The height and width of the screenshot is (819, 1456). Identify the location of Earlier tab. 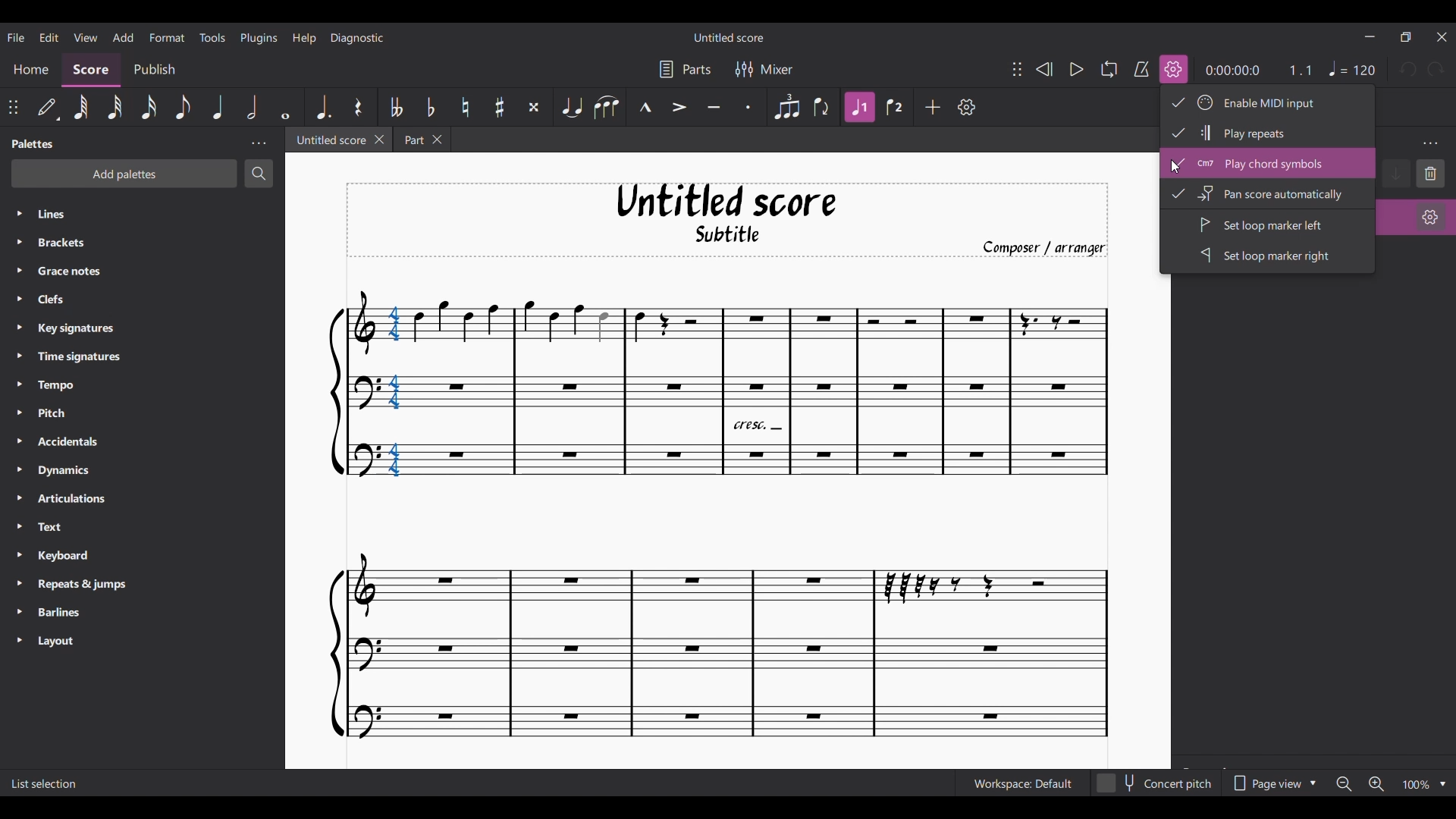
(422, 139).